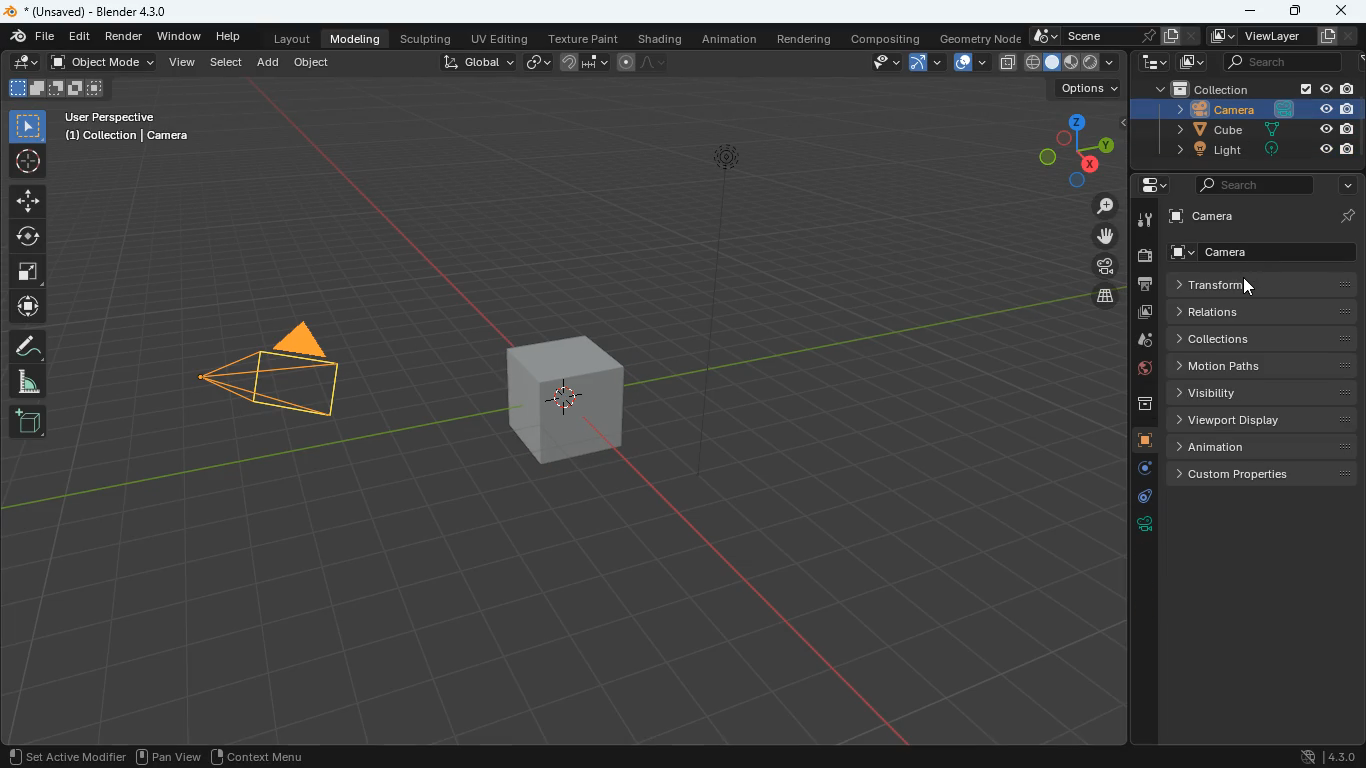 This screenshot has height=768, width=1366. What do you see at coordinates (1256, 186) in the screenshot?
I see `search` at bounding box center [1256, 186].